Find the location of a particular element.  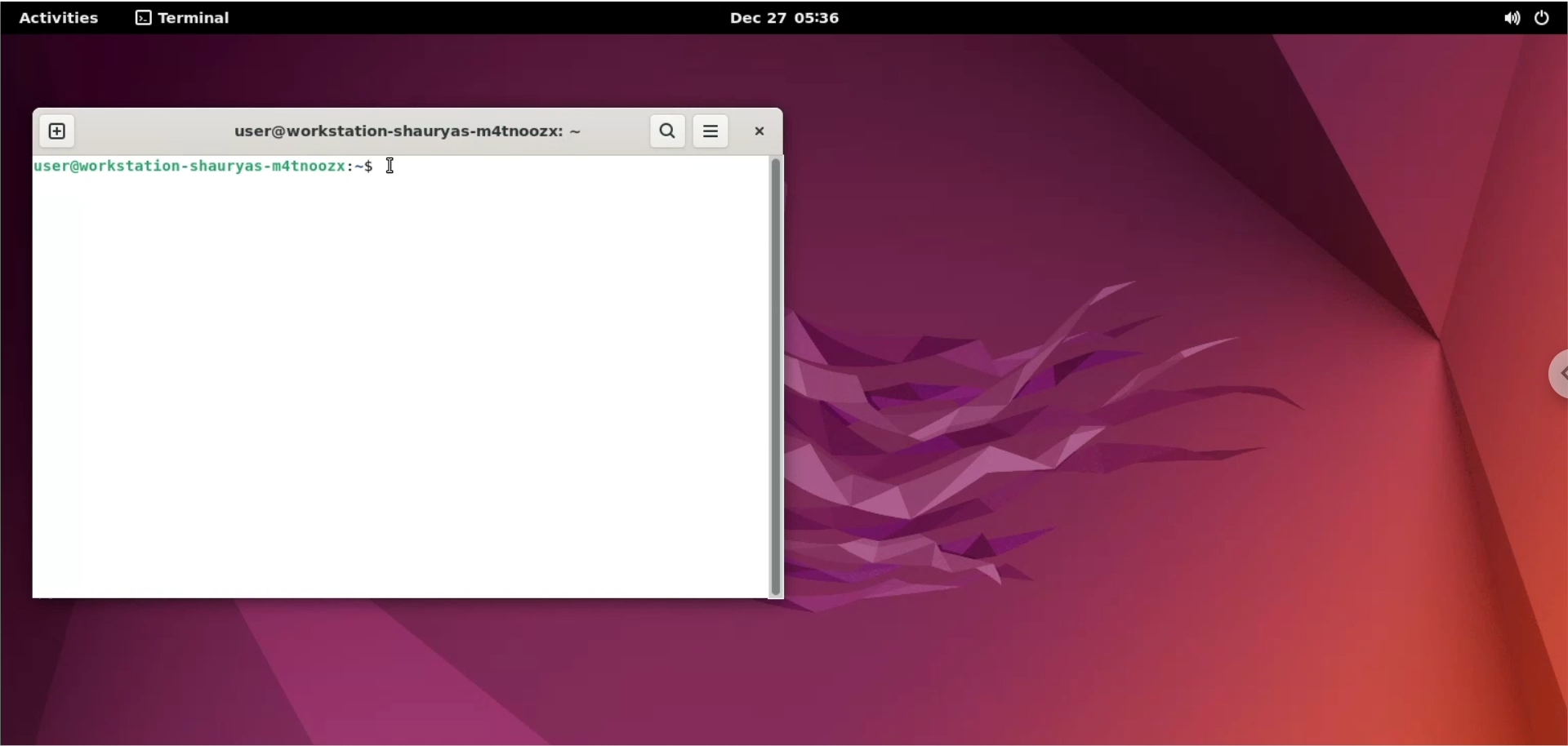

user@workstation-shauryas-m4tnoozx: ~ is located at coordinates (396, 130).